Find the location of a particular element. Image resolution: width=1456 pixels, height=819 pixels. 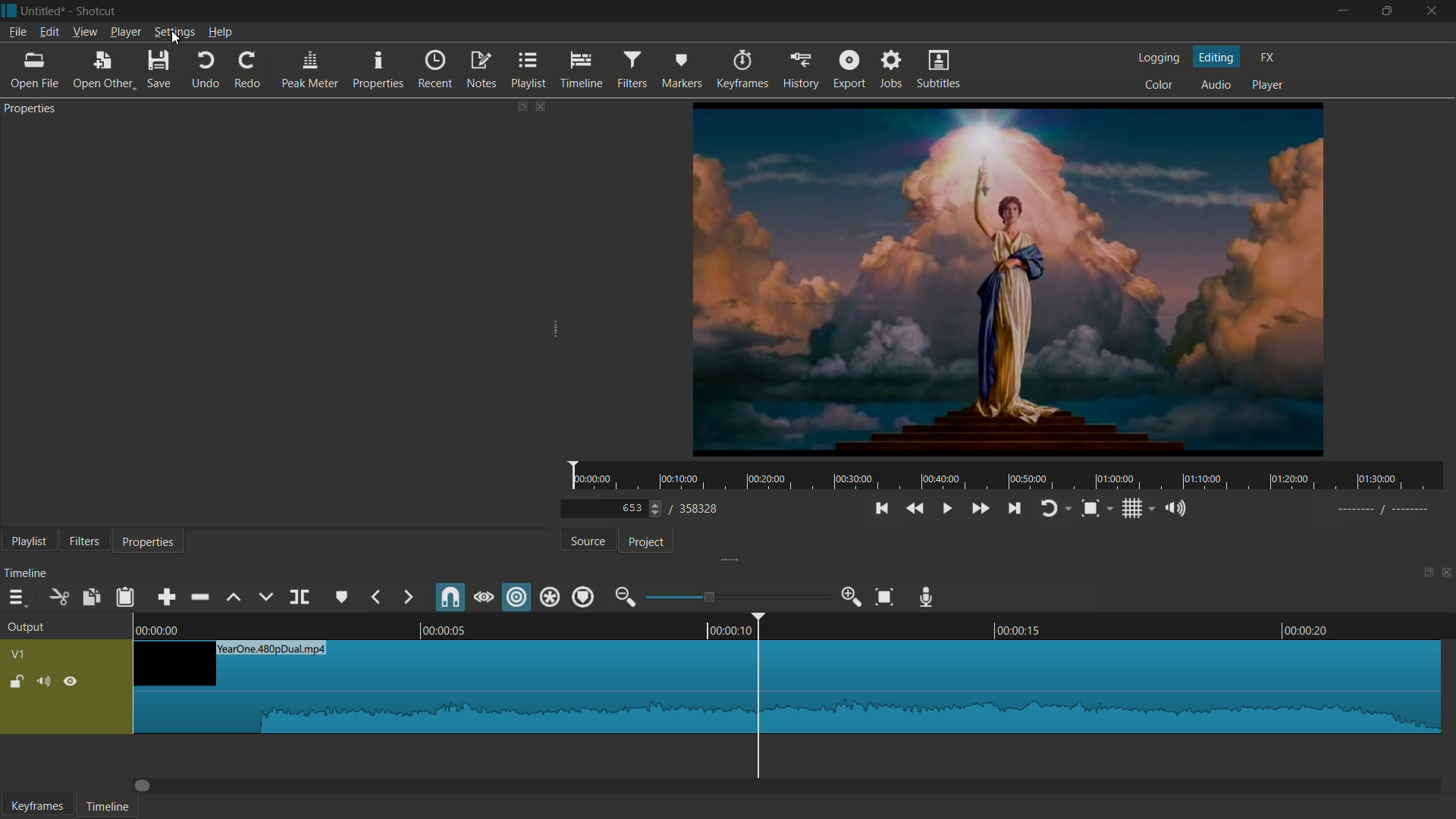

fx is located at coordinates (1268, 58).